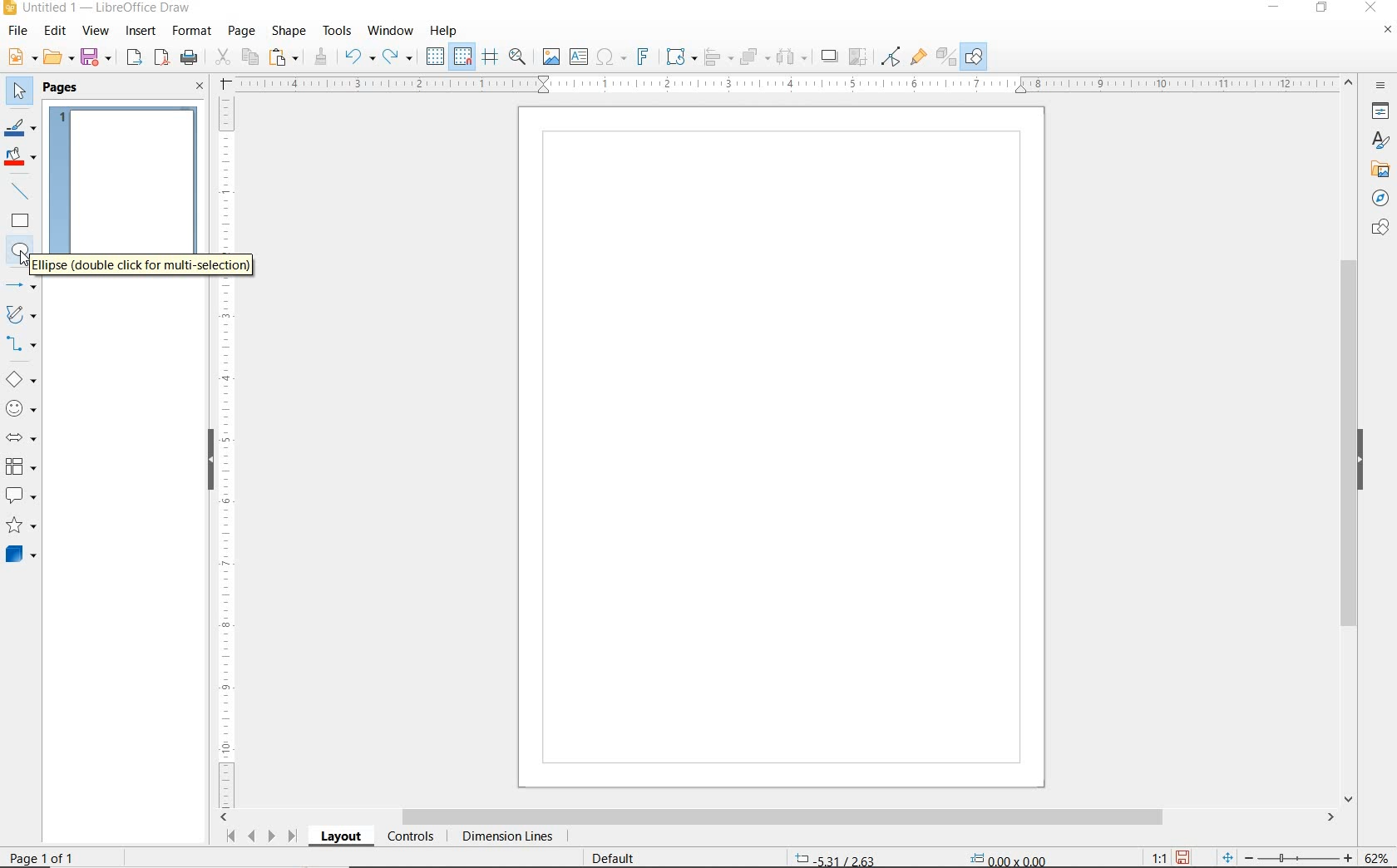 The image size is (1397, 868). Describe the element at coordinates (21, 251) in the screenshot. I see `ELLIPSE` at that location.